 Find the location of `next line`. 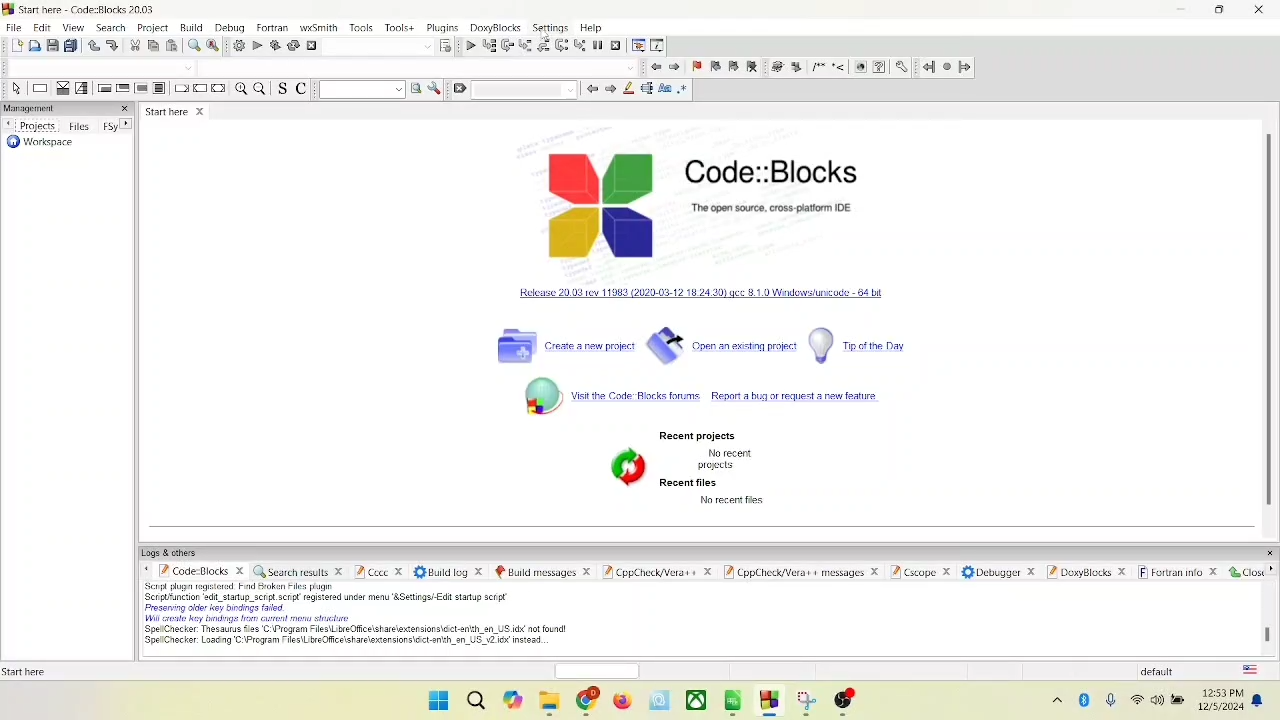

next line is located at coordinates (505, 46).